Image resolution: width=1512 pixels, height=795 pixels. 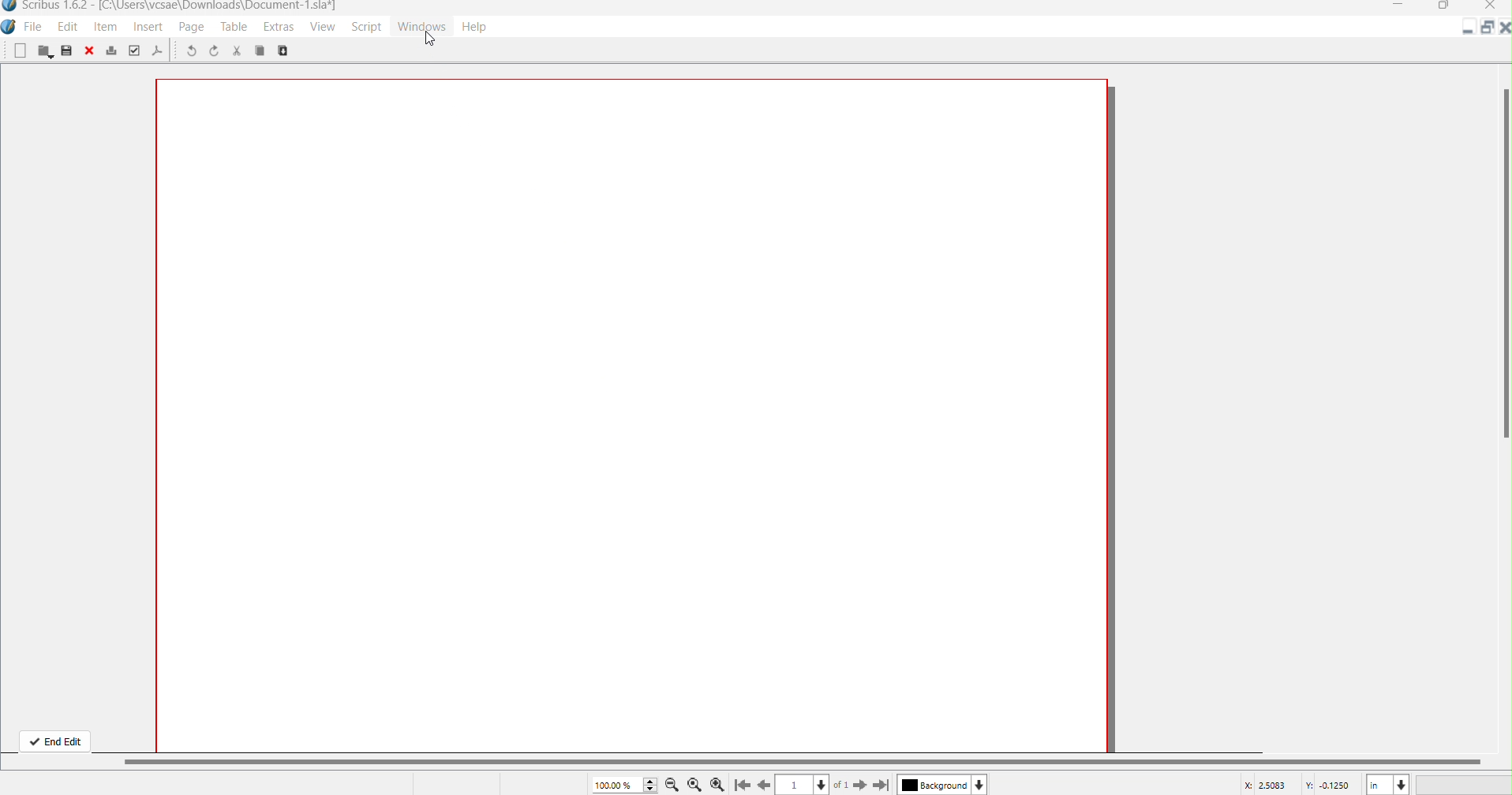 What do you see at coordinates (289, 51) in the screenshot?
I see `copy` at bounding box center [289, 51].